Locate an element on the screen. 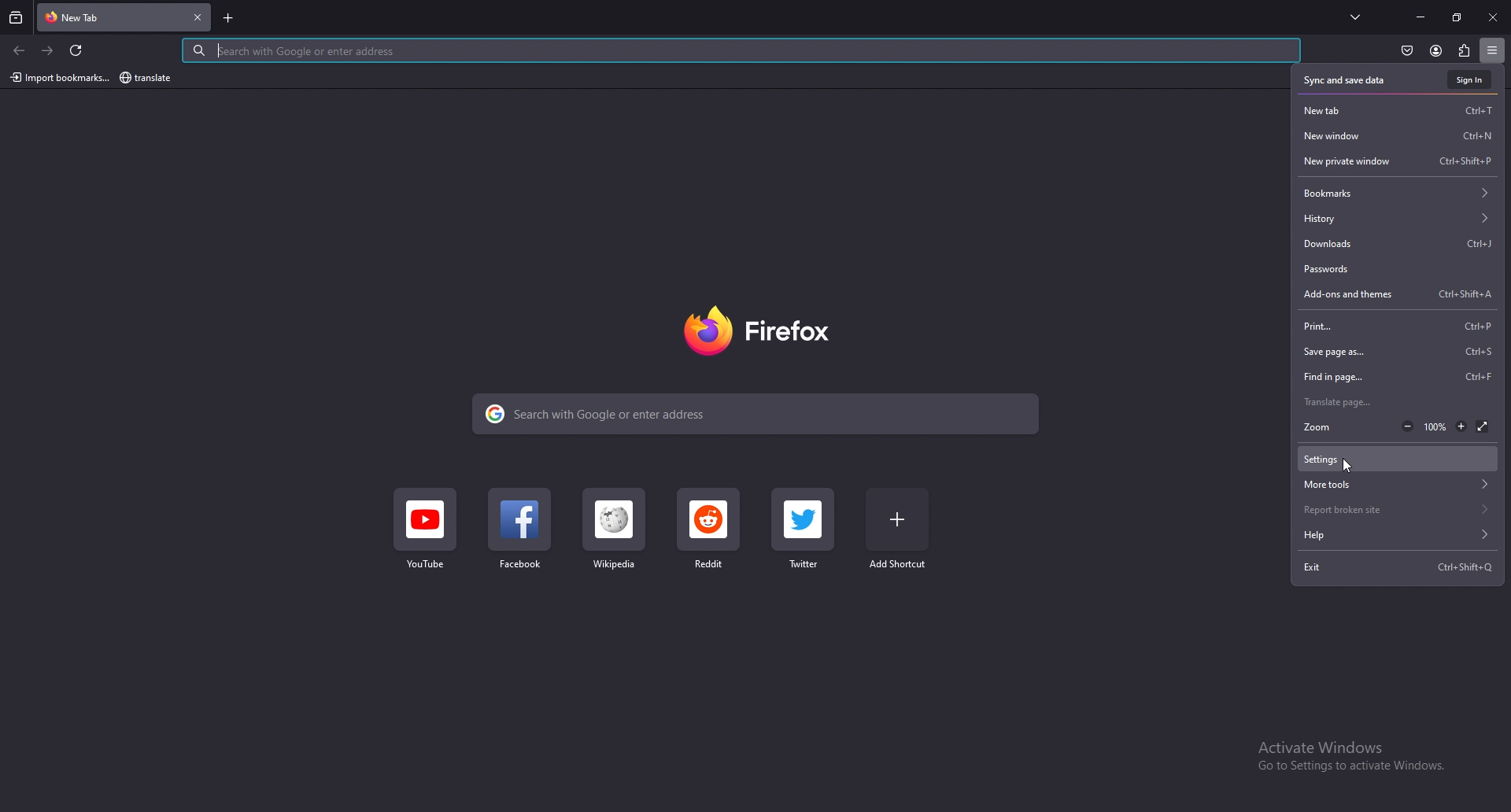  translate page is located at coordinates (1397, 403).